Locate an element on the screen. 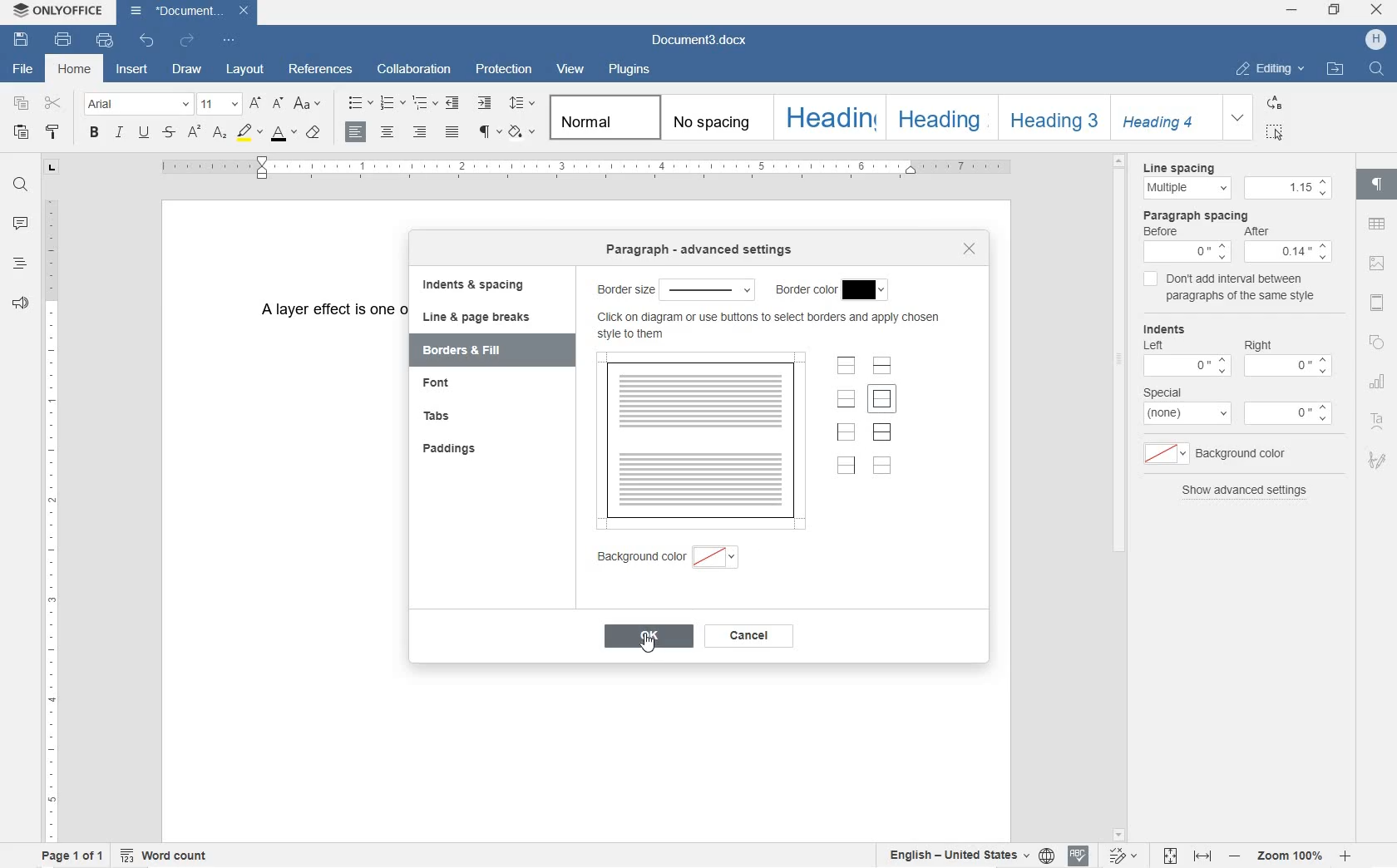 Image resolution: width=1397 pixels, height=868 pixels. WORD COUNT is located at coordinates (166, 854).